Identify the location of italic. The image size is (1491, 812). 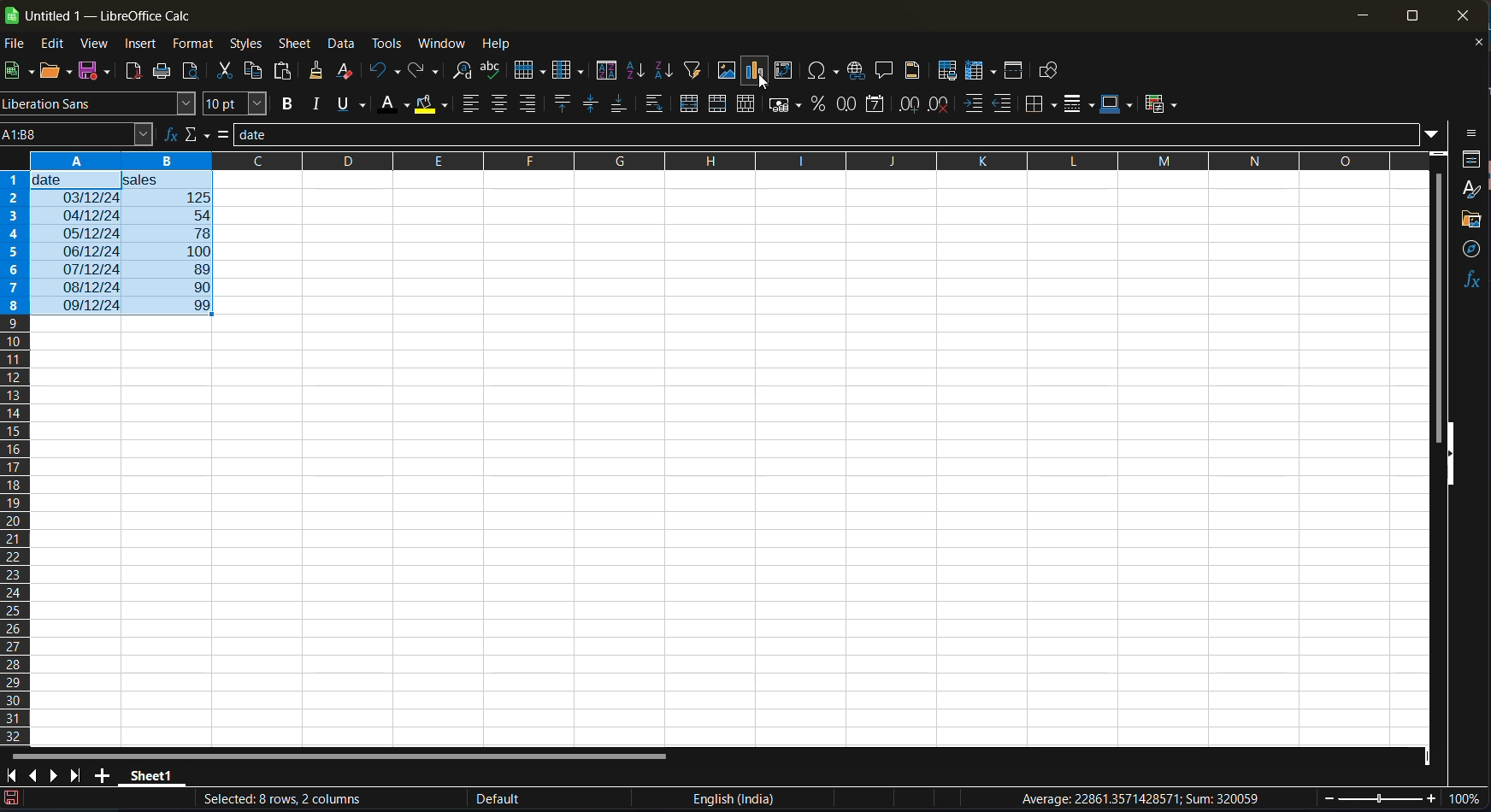
(320, 104).